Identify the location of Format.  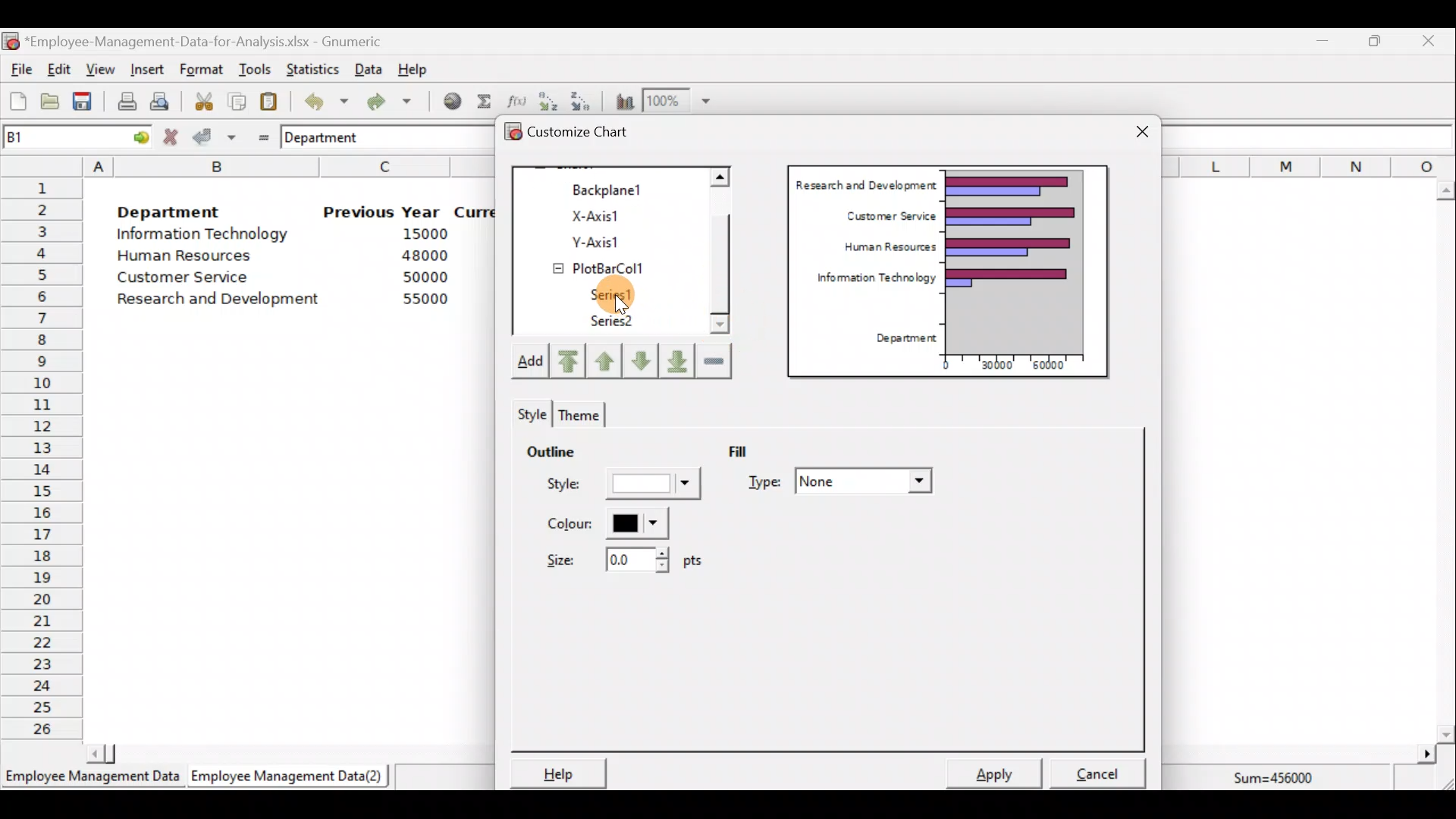
(201, 71).